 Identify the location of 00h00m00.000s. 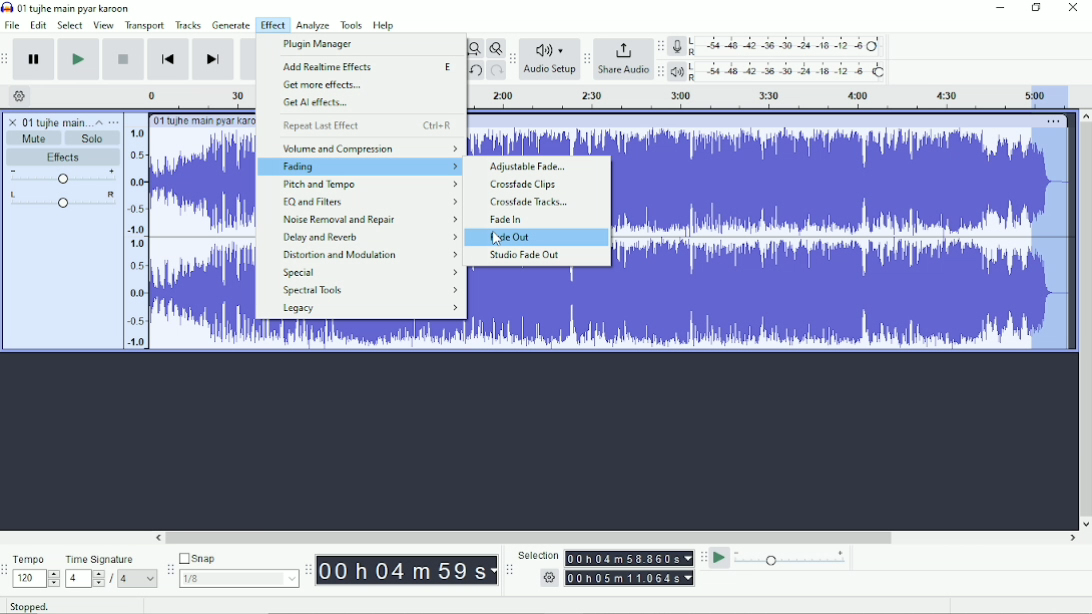
(630, 559).